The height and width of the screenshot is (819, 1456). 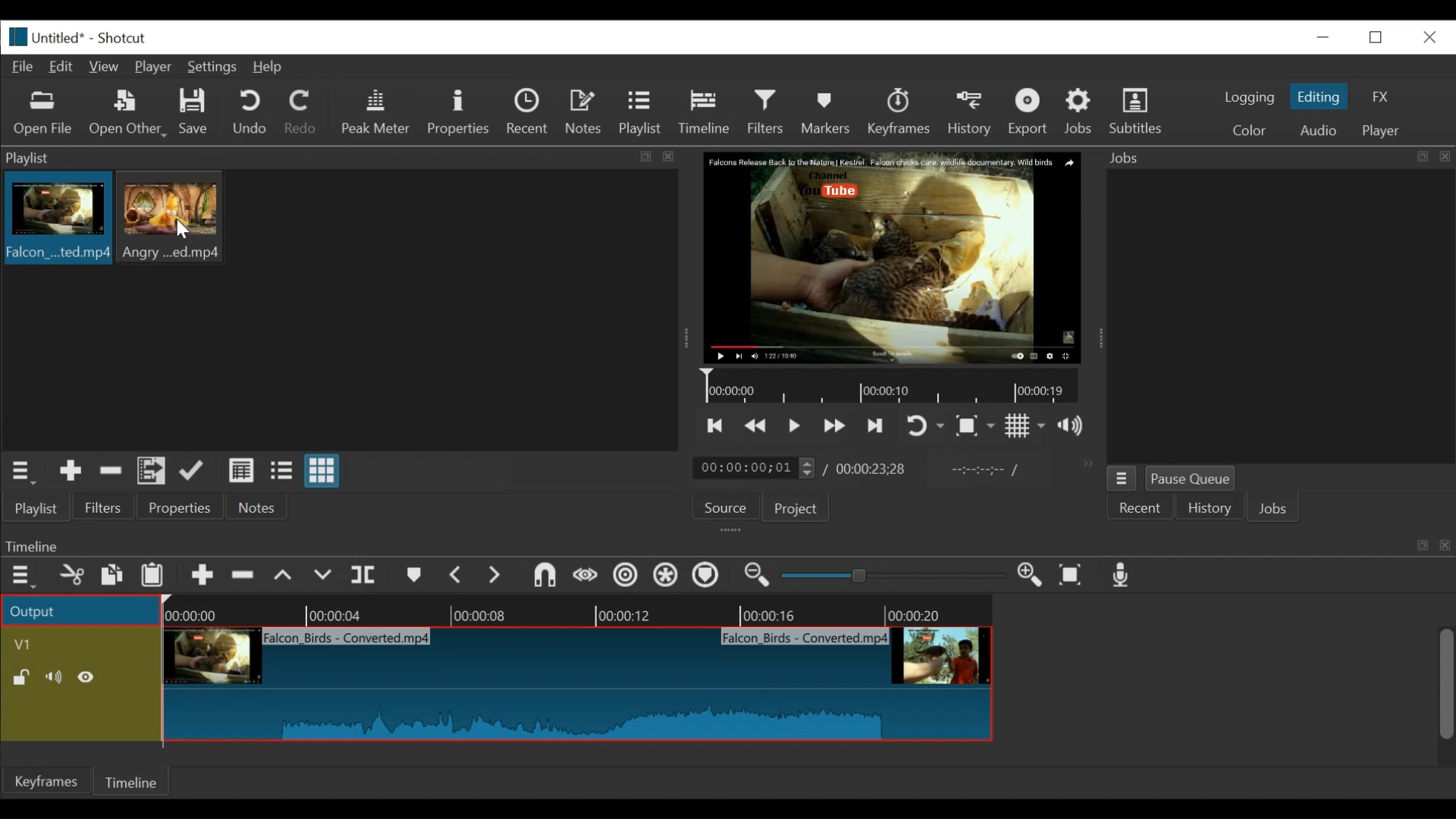 What do you see at coordinates (581, 610) in the screenshot?
I see `Timeline` at bounding box center [581, 610].